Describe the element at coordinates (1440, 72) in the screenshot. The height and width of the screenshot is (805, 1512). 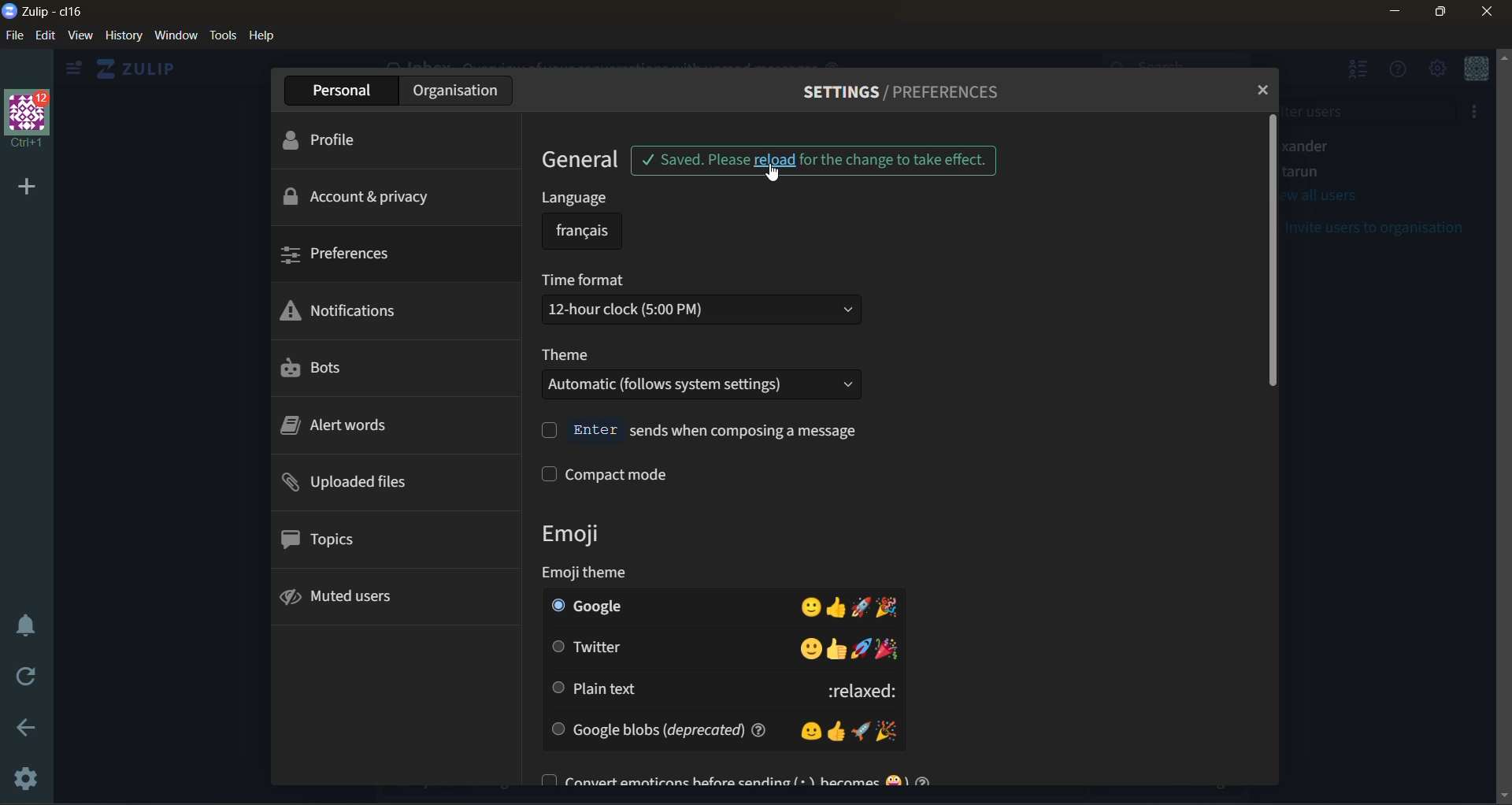
I see `main menu` at that location.